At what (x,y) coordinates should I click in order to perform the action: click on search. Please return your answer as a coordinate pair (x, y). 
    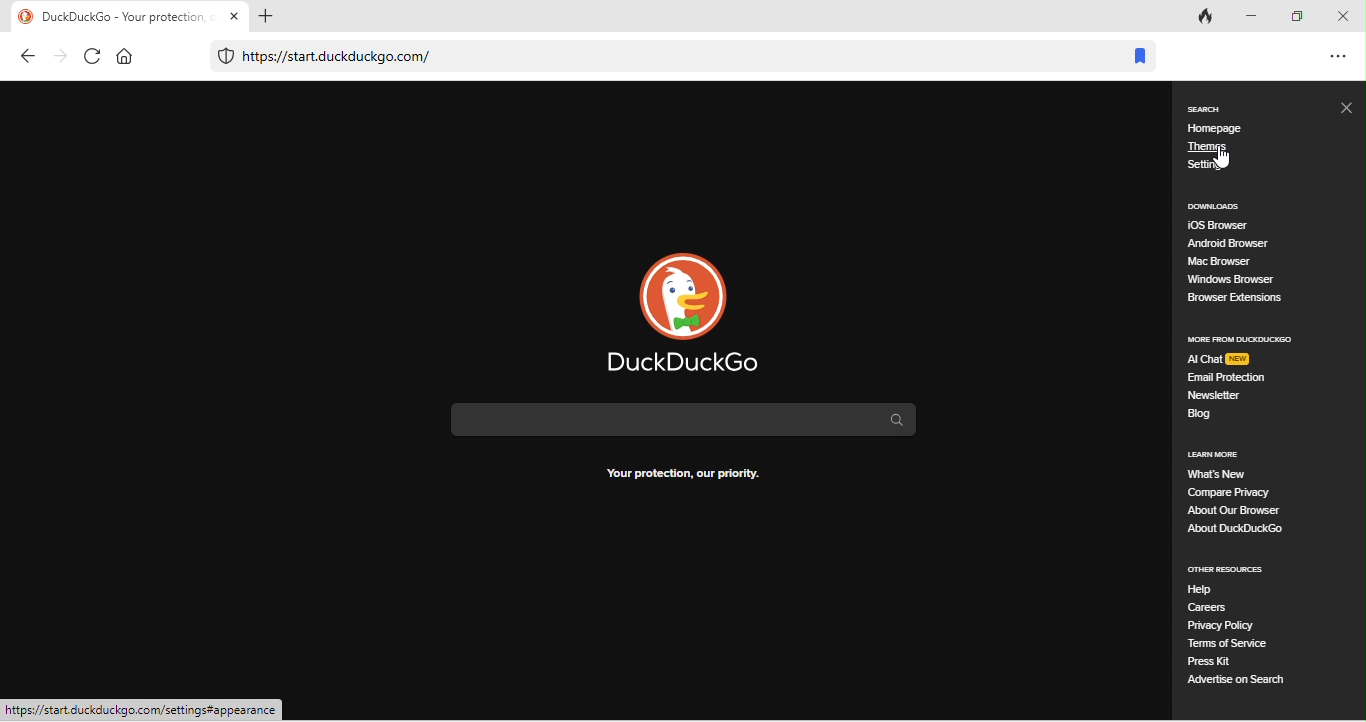
    Looking at the image, I should click on (1215, 107).